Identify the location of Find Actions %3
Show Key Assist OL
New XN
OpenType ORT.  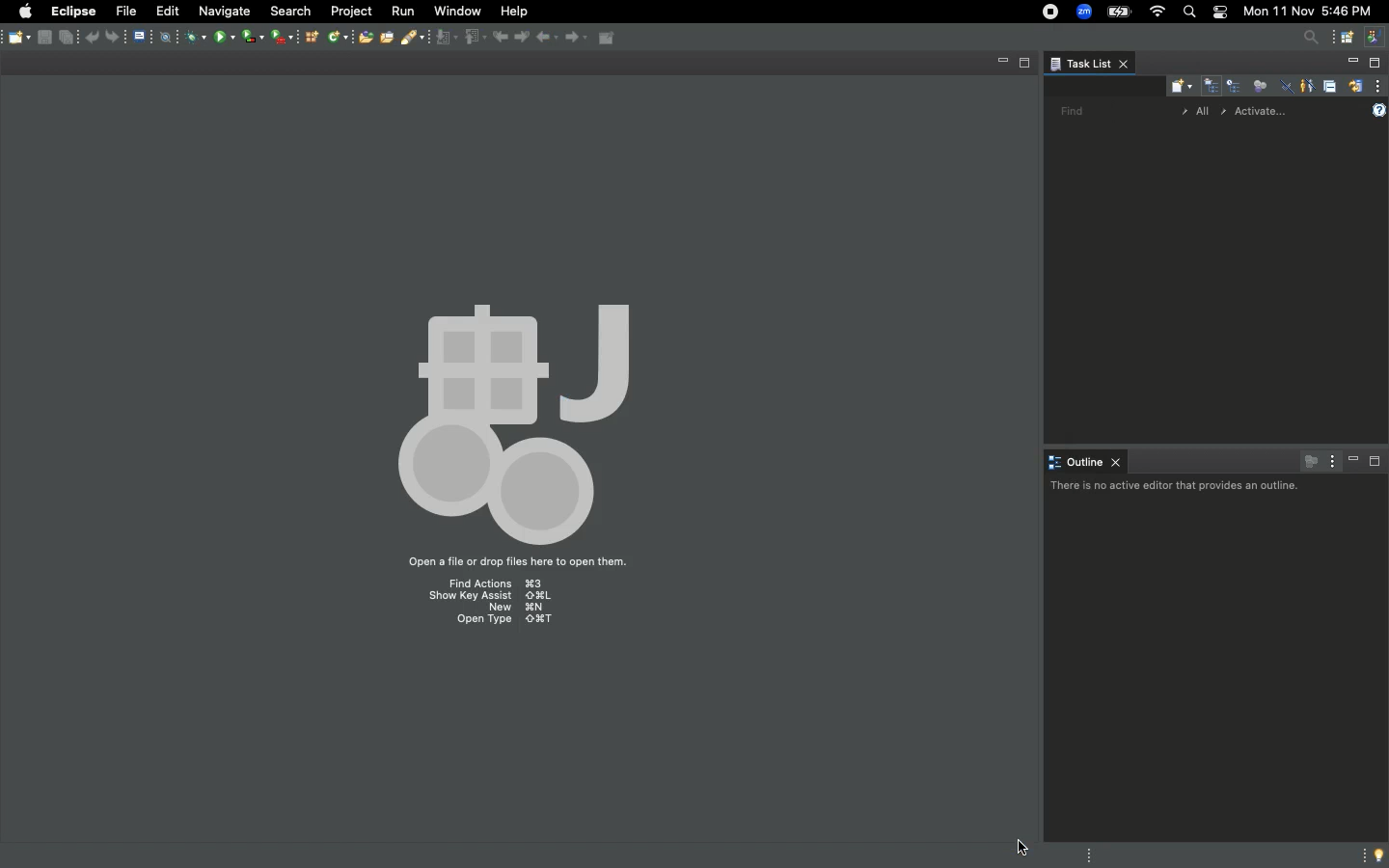
(490, 604).